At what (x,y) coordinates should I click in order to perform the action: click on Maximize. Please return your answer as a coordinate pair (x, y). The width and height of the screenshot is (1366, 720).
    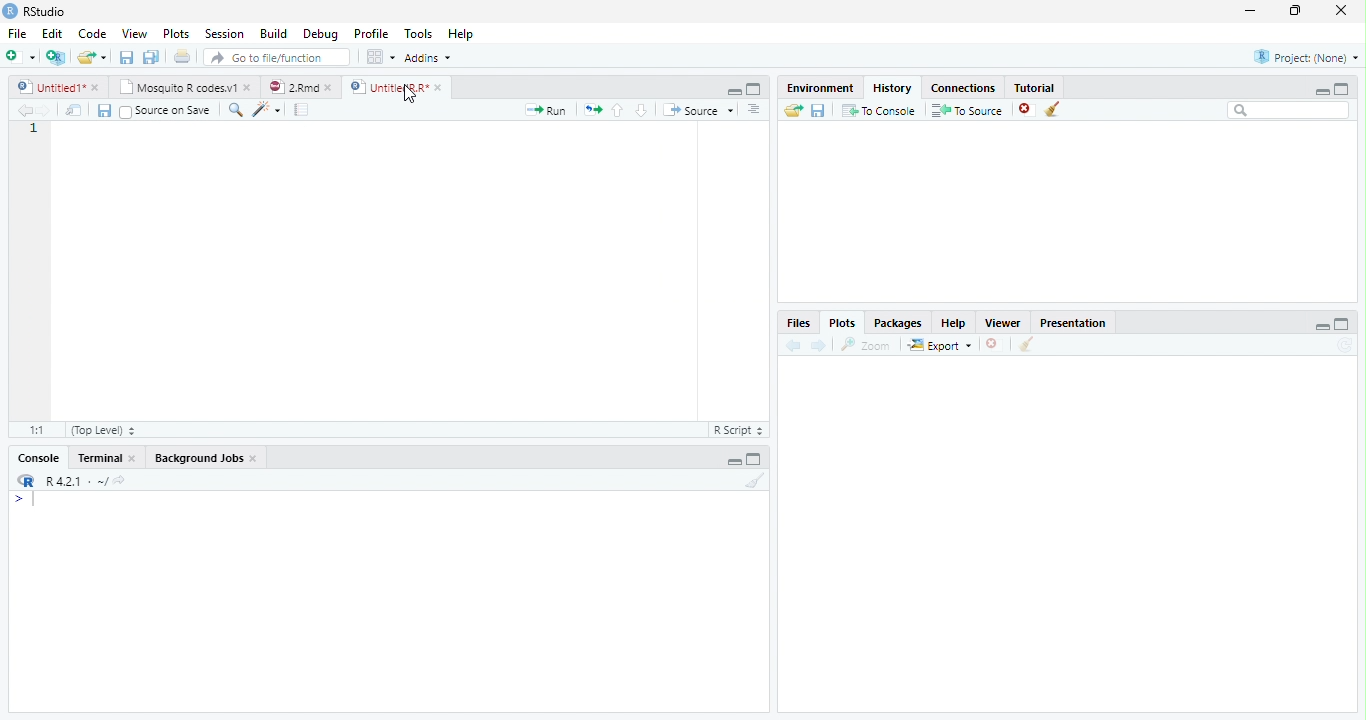
    Looking at the image, I should click on (1342, 89).